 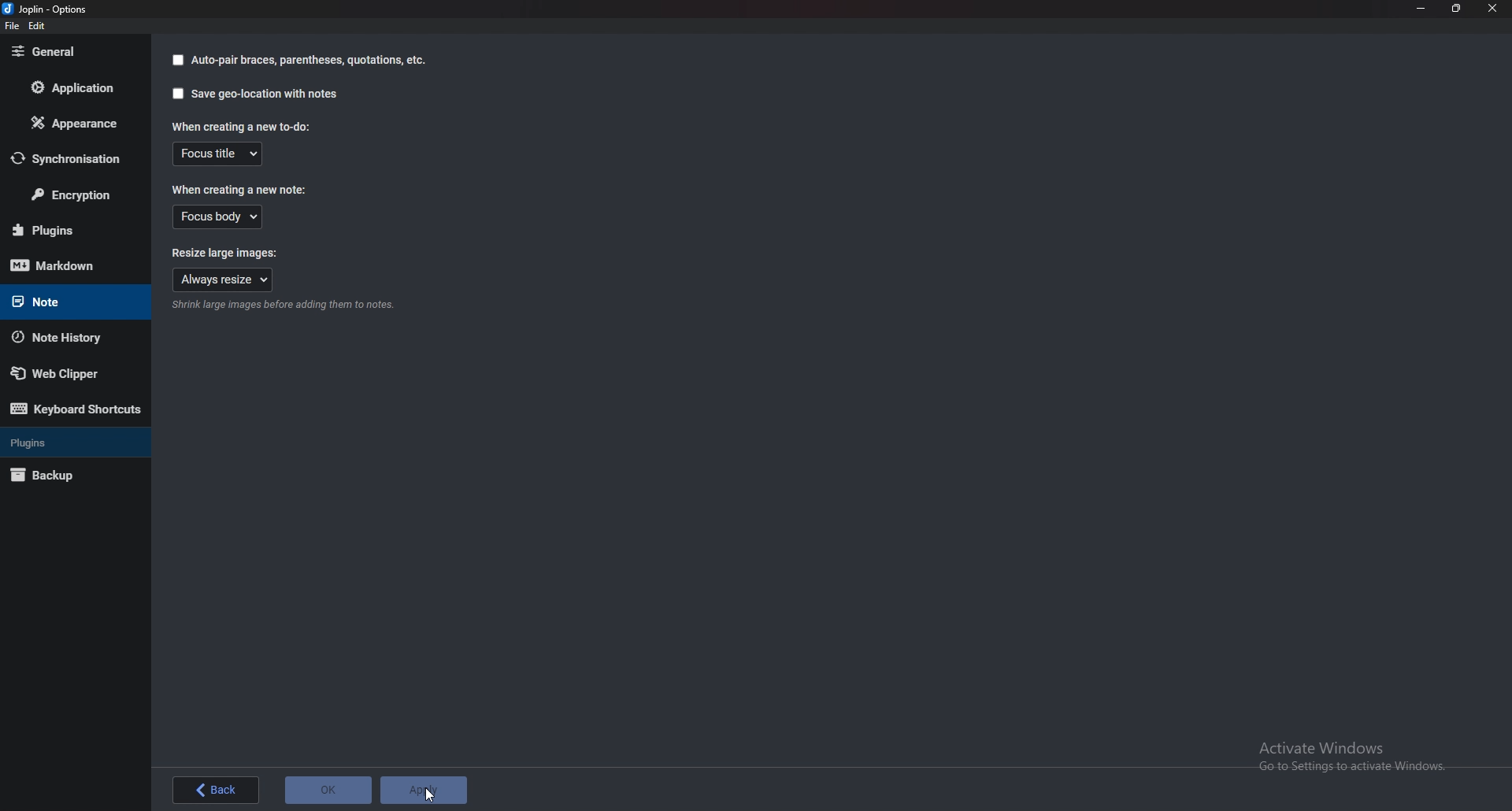 I want to click on back, so click(x=218, y=791).